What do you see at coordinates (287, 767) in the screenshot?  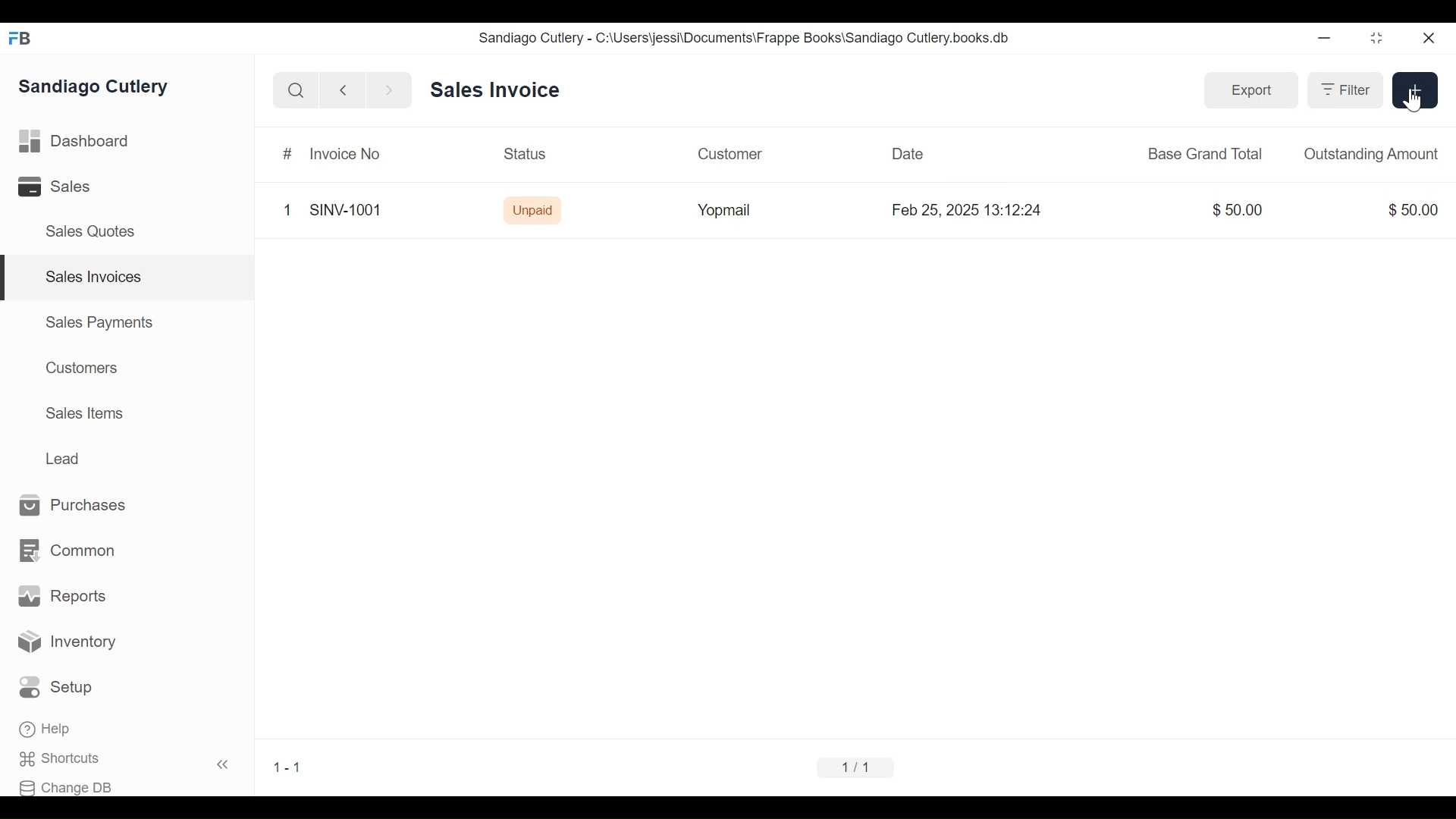 I see `1-1` at bounding box center [287, 767].